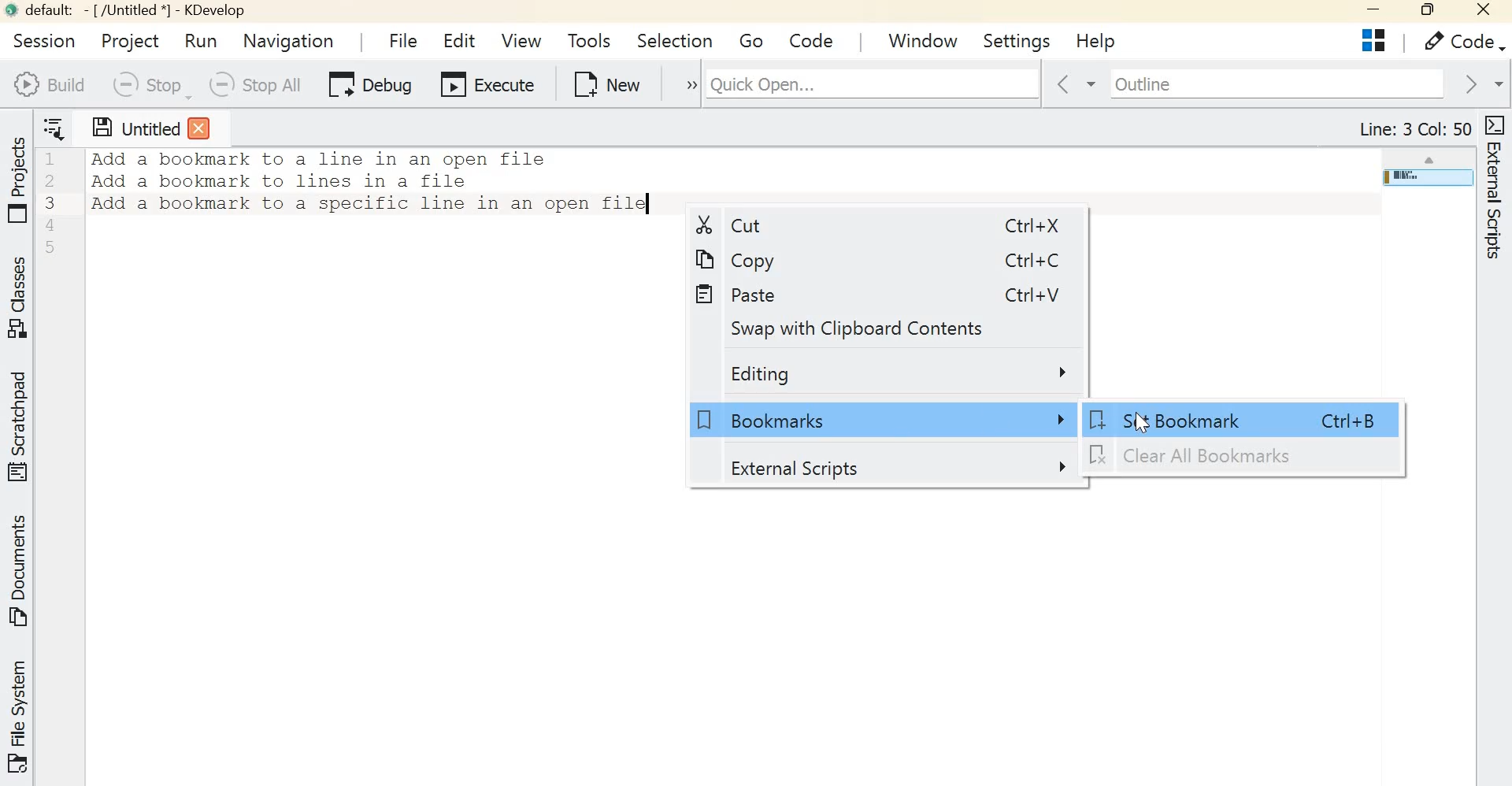  I want to click on Paste, so click(739, 295).